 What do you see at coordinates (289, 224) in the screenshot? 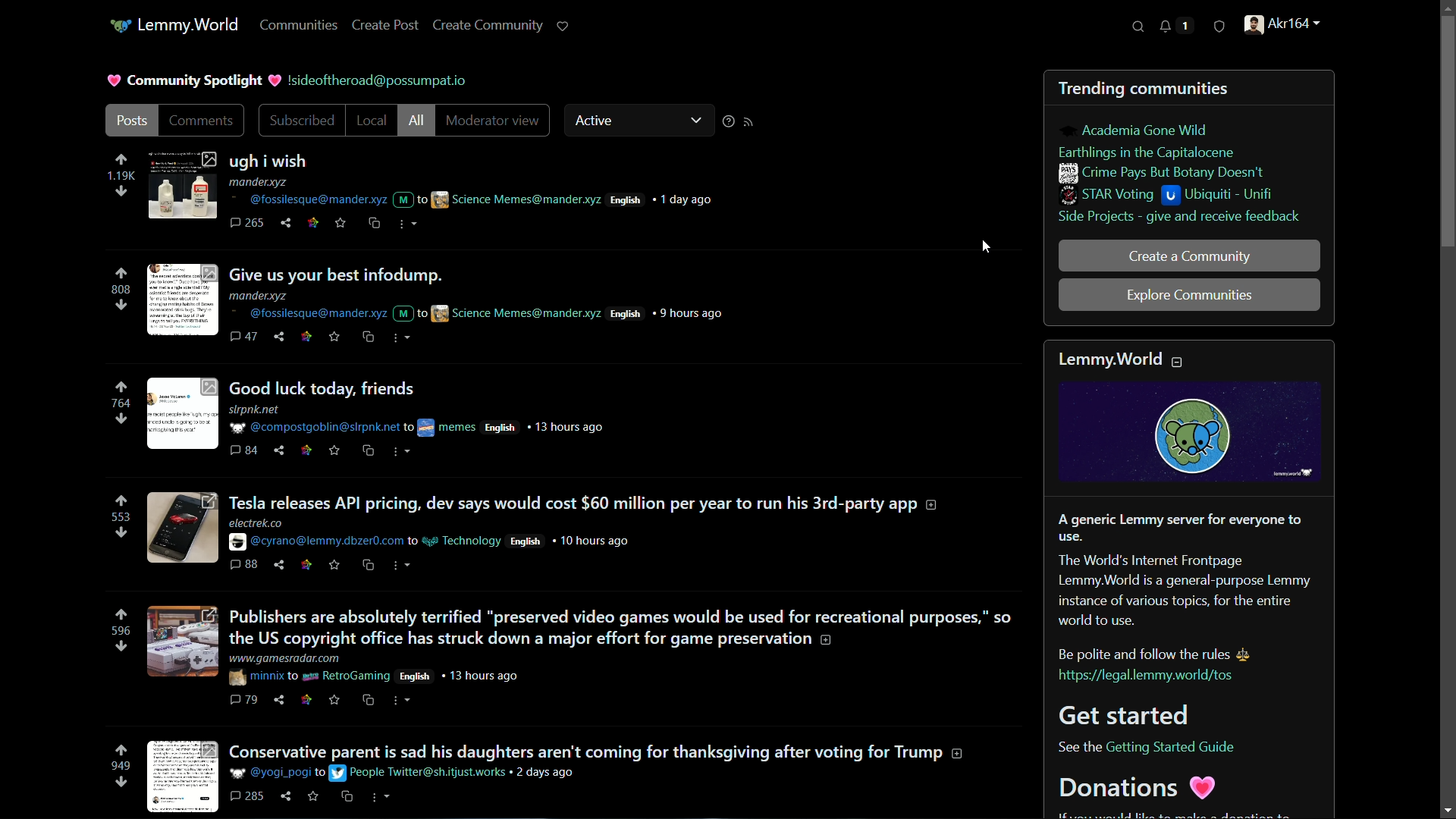
I see `share` at bounding box center [289, 224].